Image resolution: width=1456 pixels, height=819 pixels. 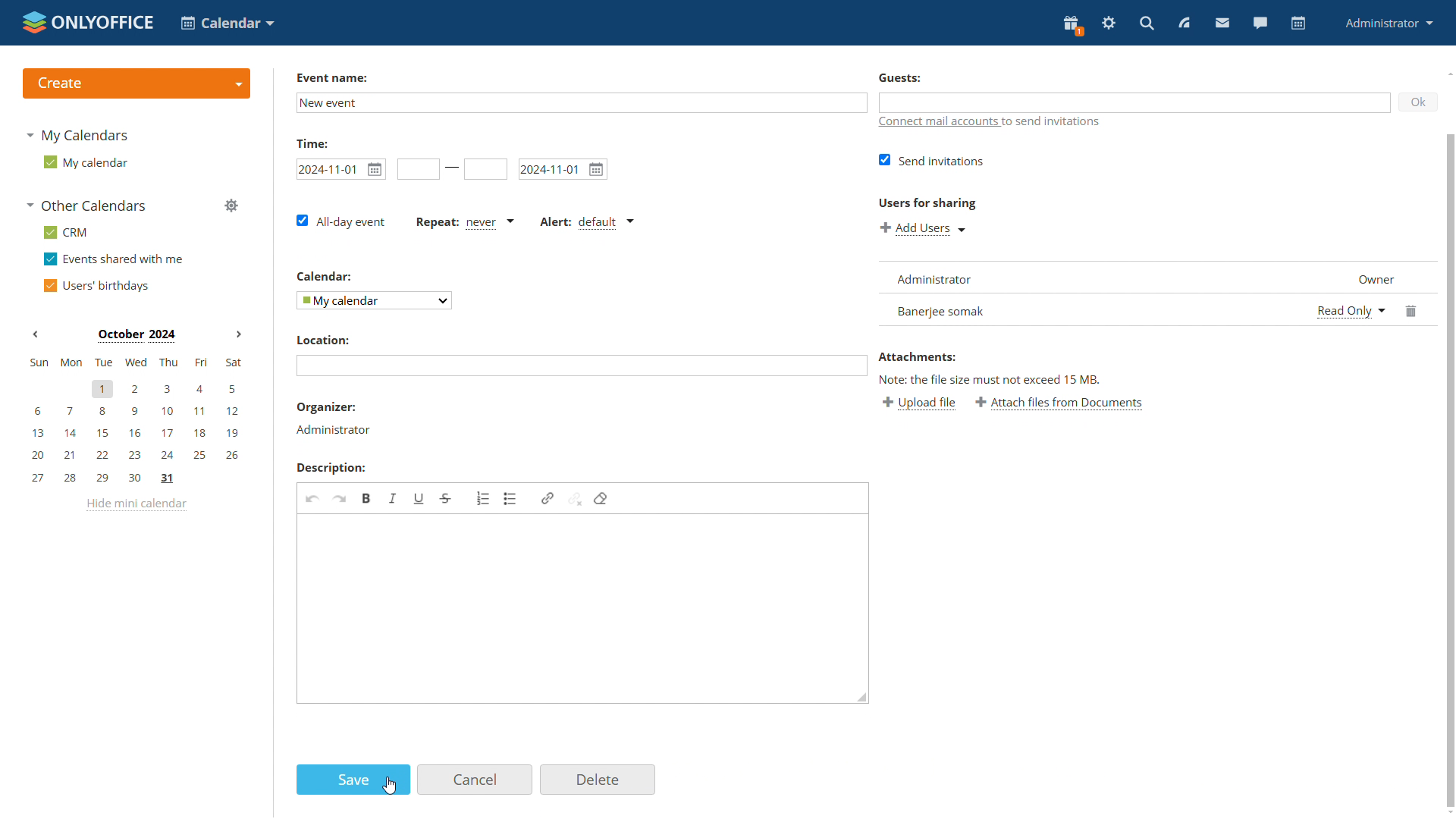 I want to click on select application, so click(x=230, y=24).